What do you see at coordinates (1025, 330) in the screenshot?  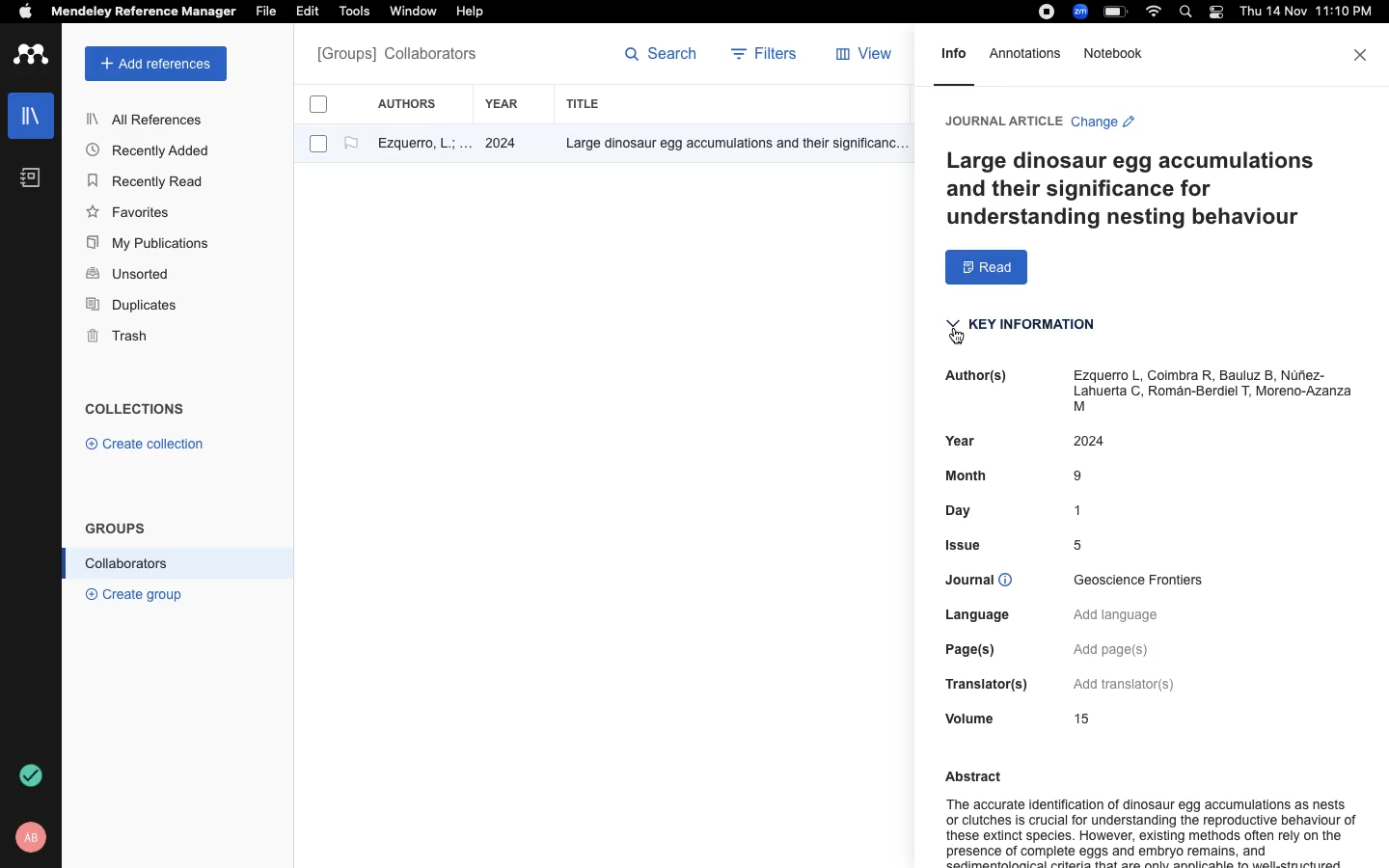 I see `KEY INFORMATION
|` at bounding box center [1025, 330].